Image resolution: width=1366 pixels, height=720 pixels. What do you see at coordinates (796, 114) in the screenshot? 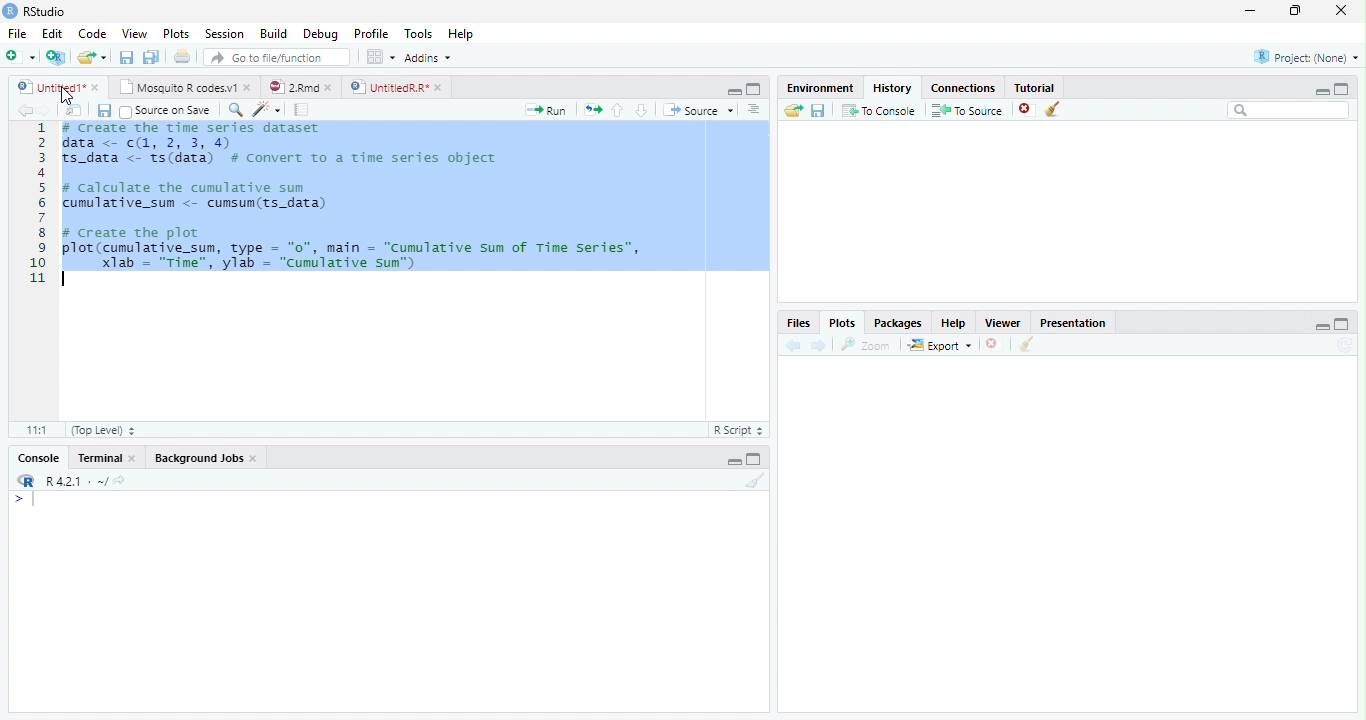
I see `Load Workspace` at bounding box center [796, 114].